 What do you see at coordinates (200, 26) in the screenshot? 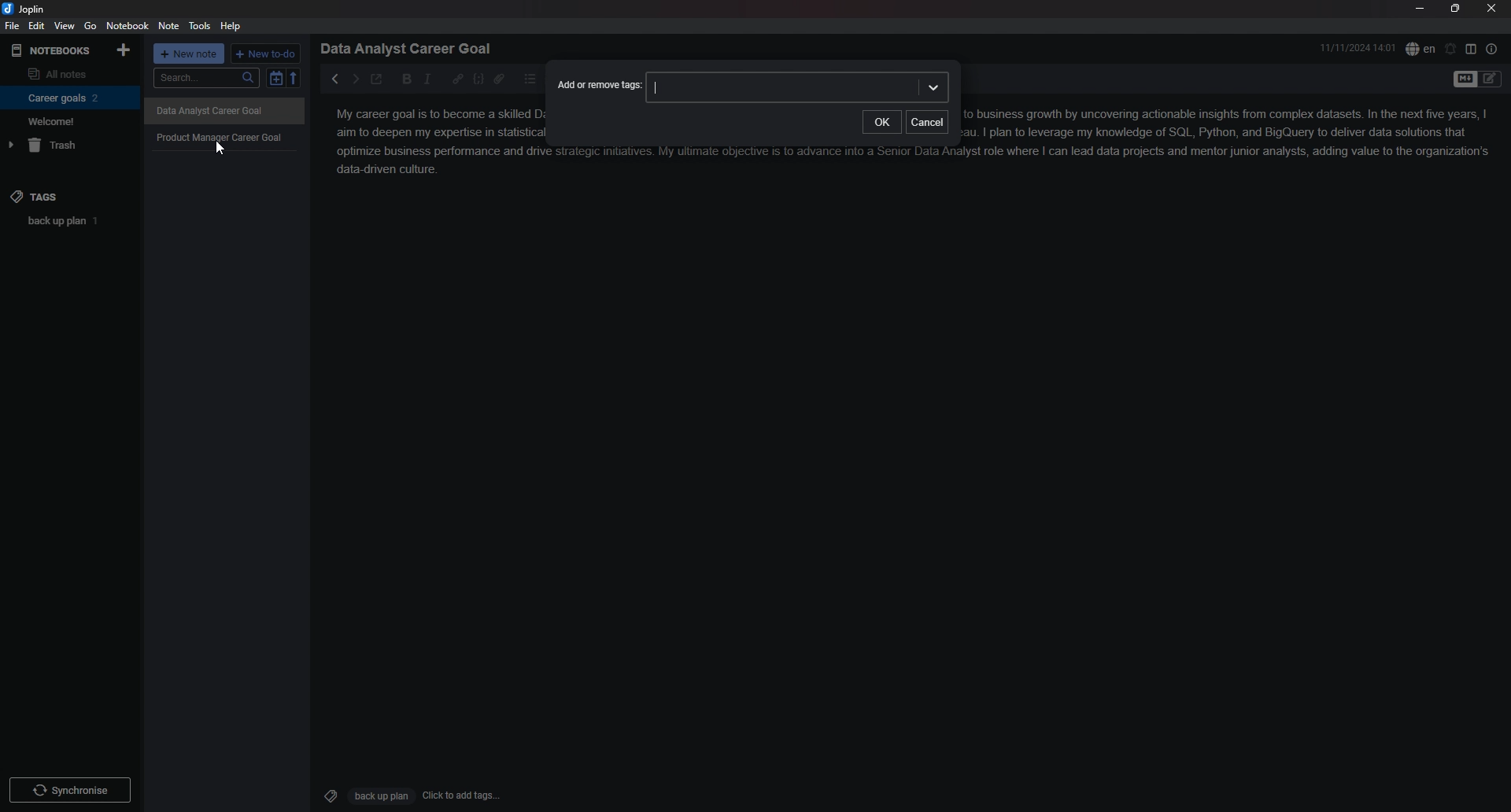
I see `tools` at bounding box center [200, 26].